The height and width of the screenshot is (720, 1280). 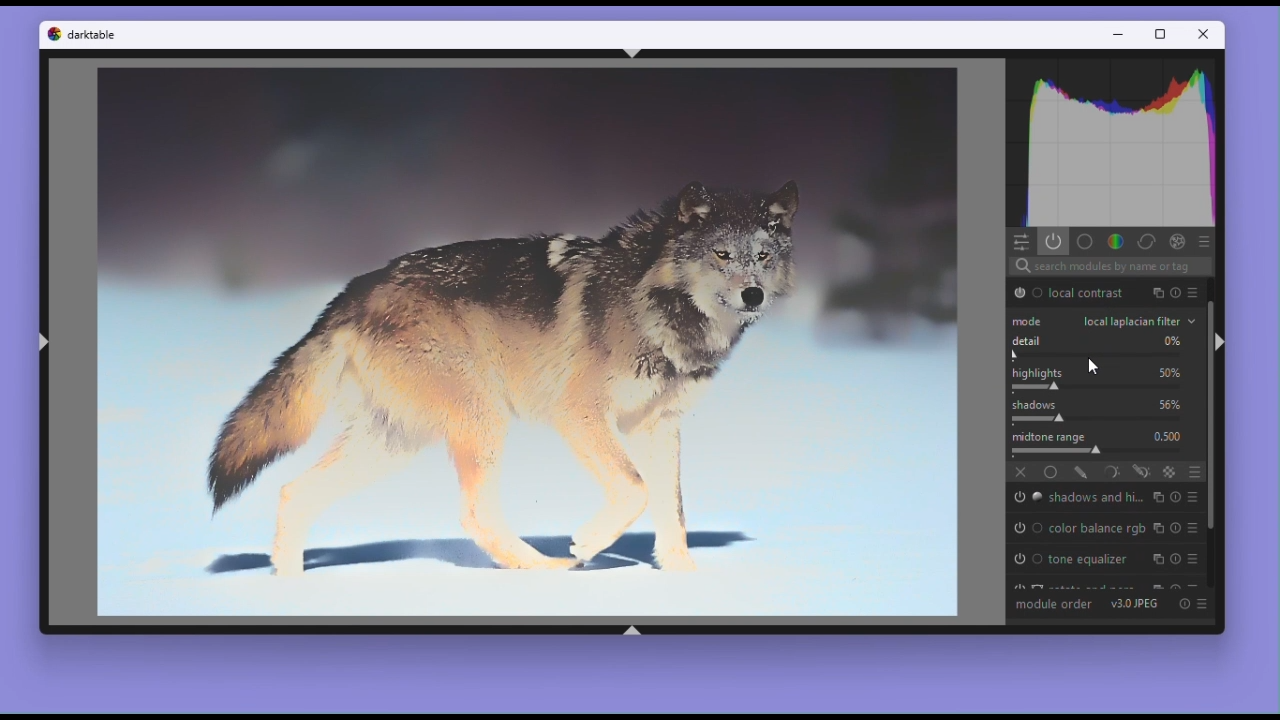 I want to click on raster mask, so click(x=1170, y=472).